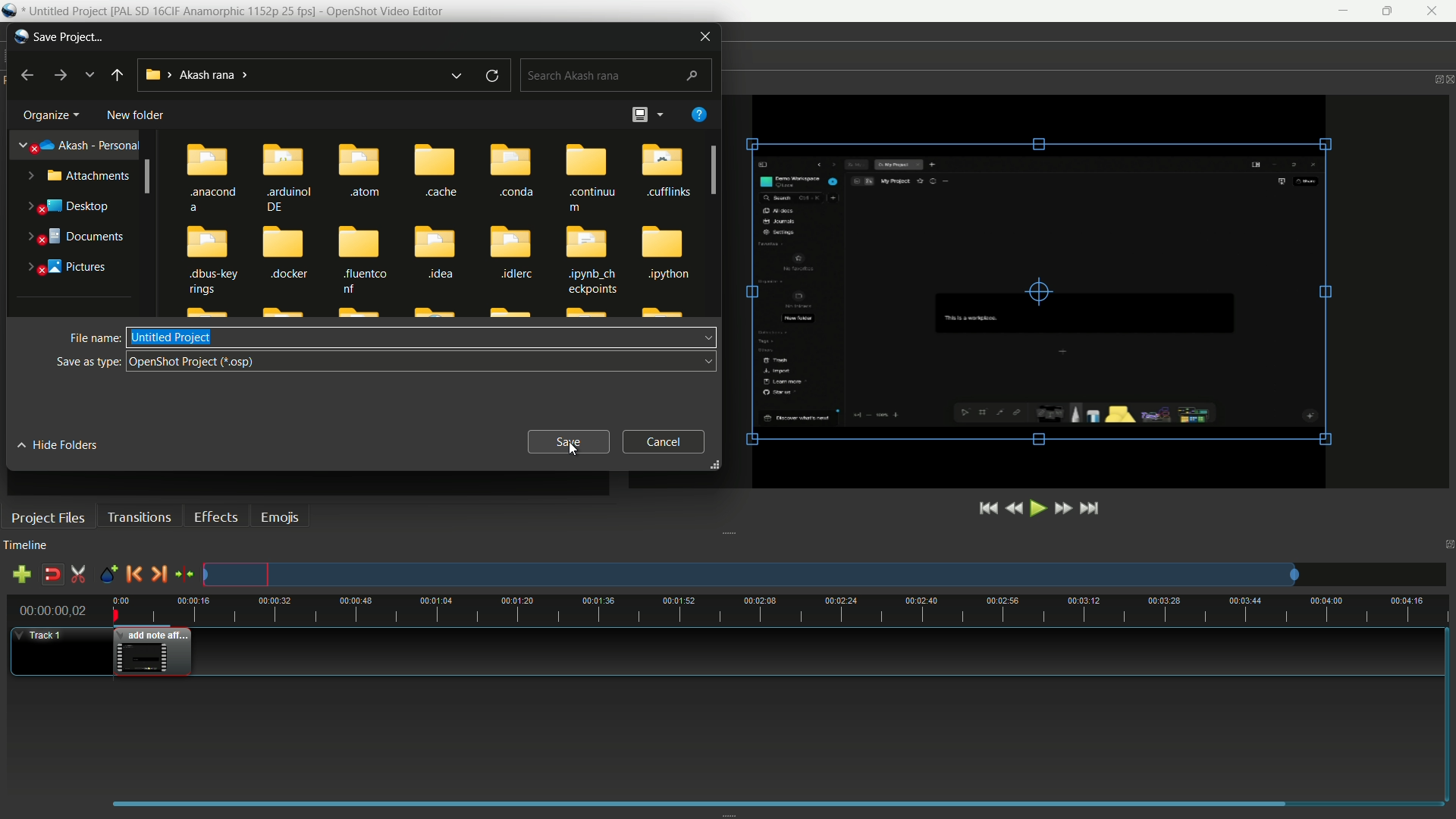 The height and width of the screenshot is (819, 1456). Describe the element at coordinates (704, 35) in the screenshot. I see `close window` at that location.